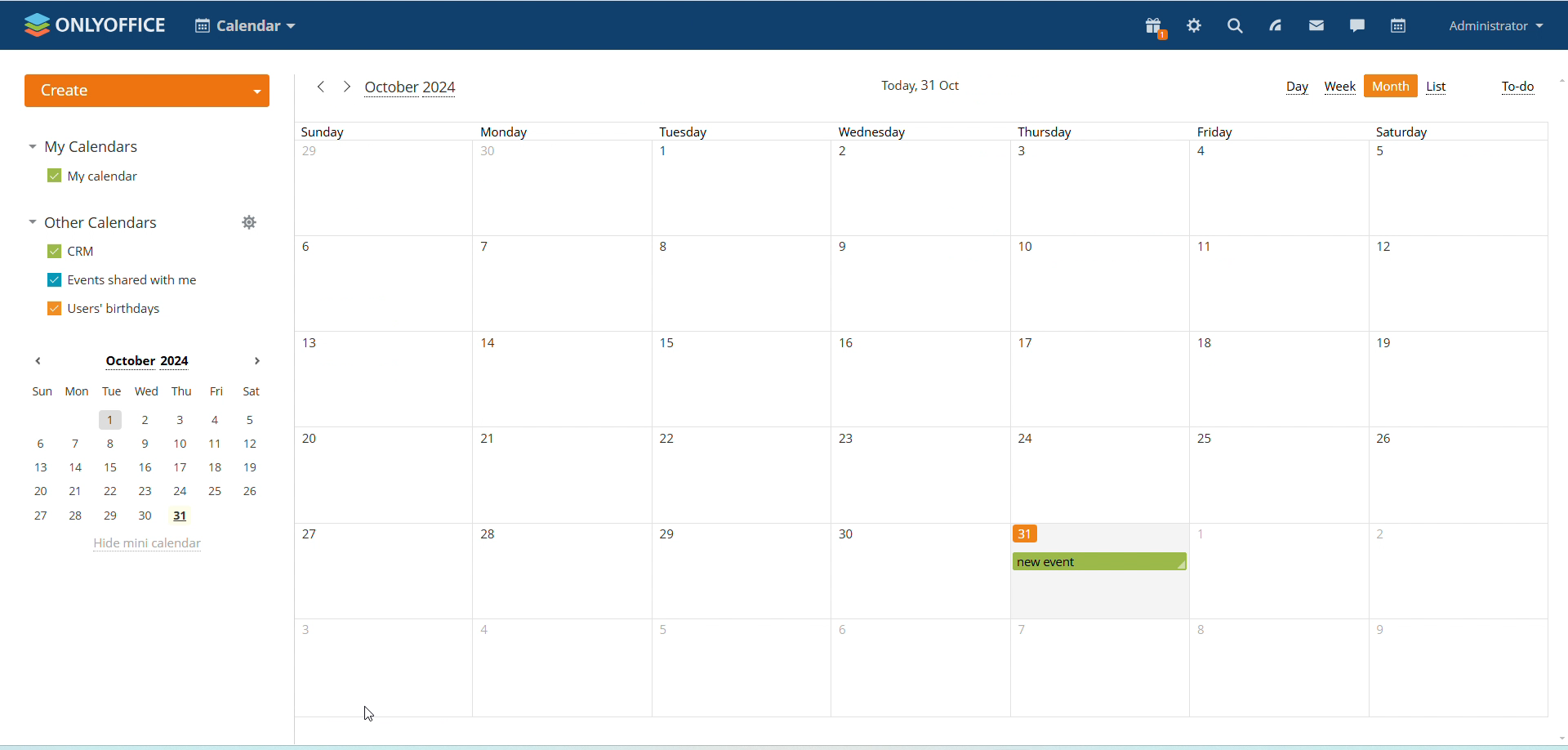 The height and width of the screenshot is (750, 1568). I want to click on Friday, so click(1281, 421).